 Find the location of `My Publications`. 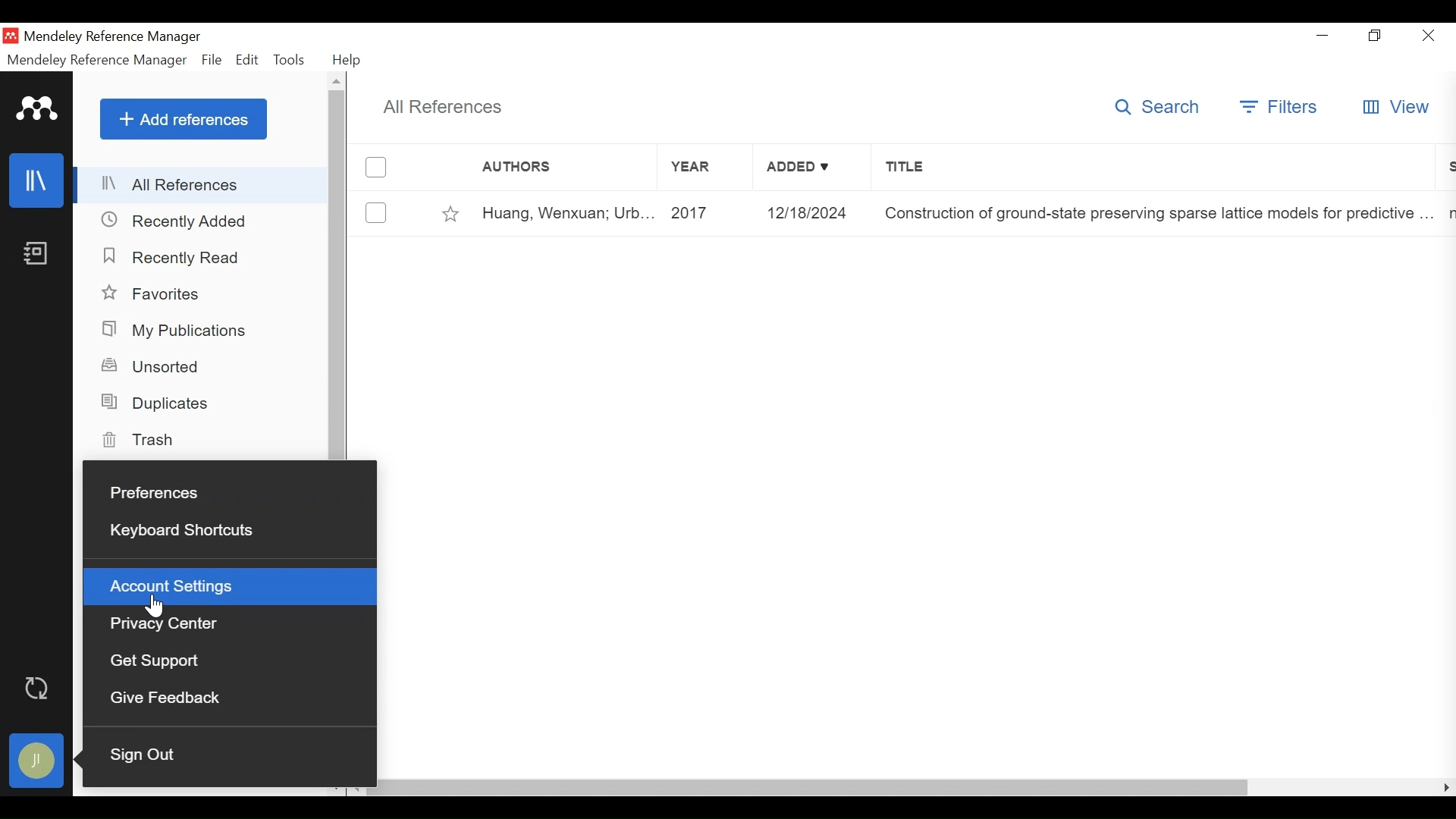

My Publications is located at coordinates (179, 331).